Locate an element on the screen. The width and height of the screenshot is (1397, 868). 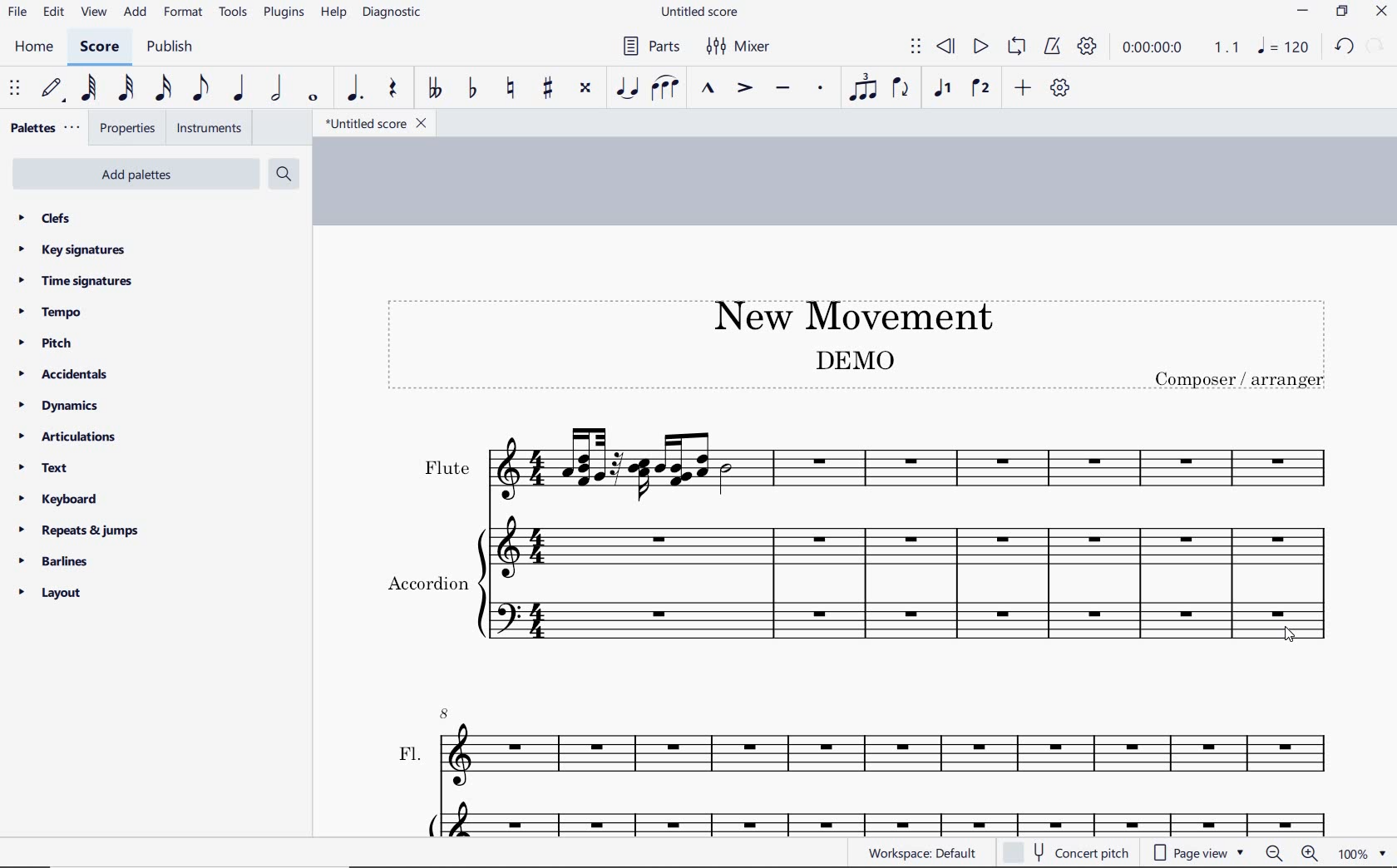
text is located at coordinates (1242, 379).